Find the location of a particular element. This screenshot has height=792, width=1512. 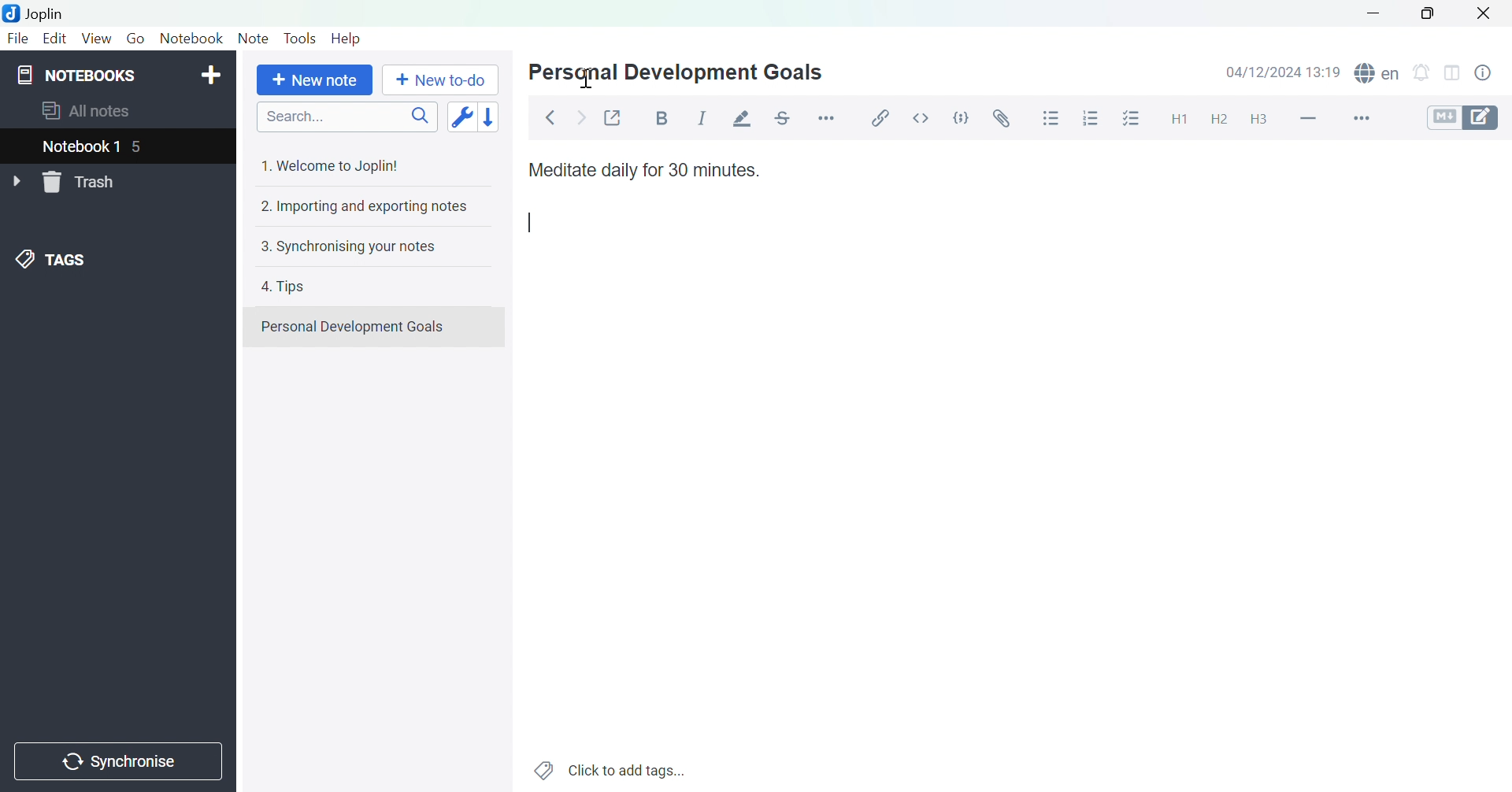

Personal Development Goals is located at coordinates (684, 72).